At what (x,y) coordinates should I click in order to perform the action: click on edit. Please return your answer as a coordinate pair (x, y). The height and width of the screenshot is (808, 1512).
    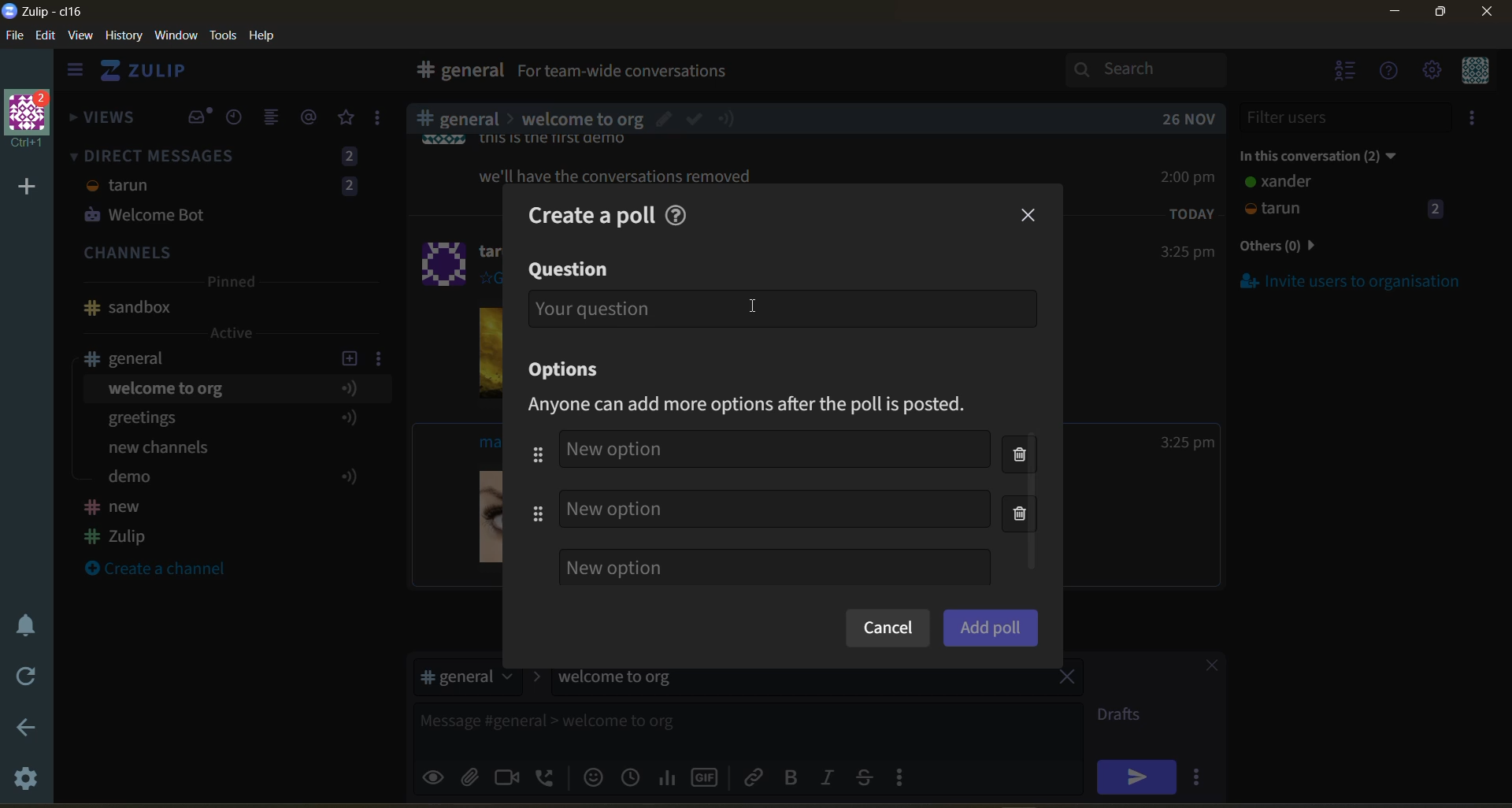
    Looking at the image, I should click on (46, 37).